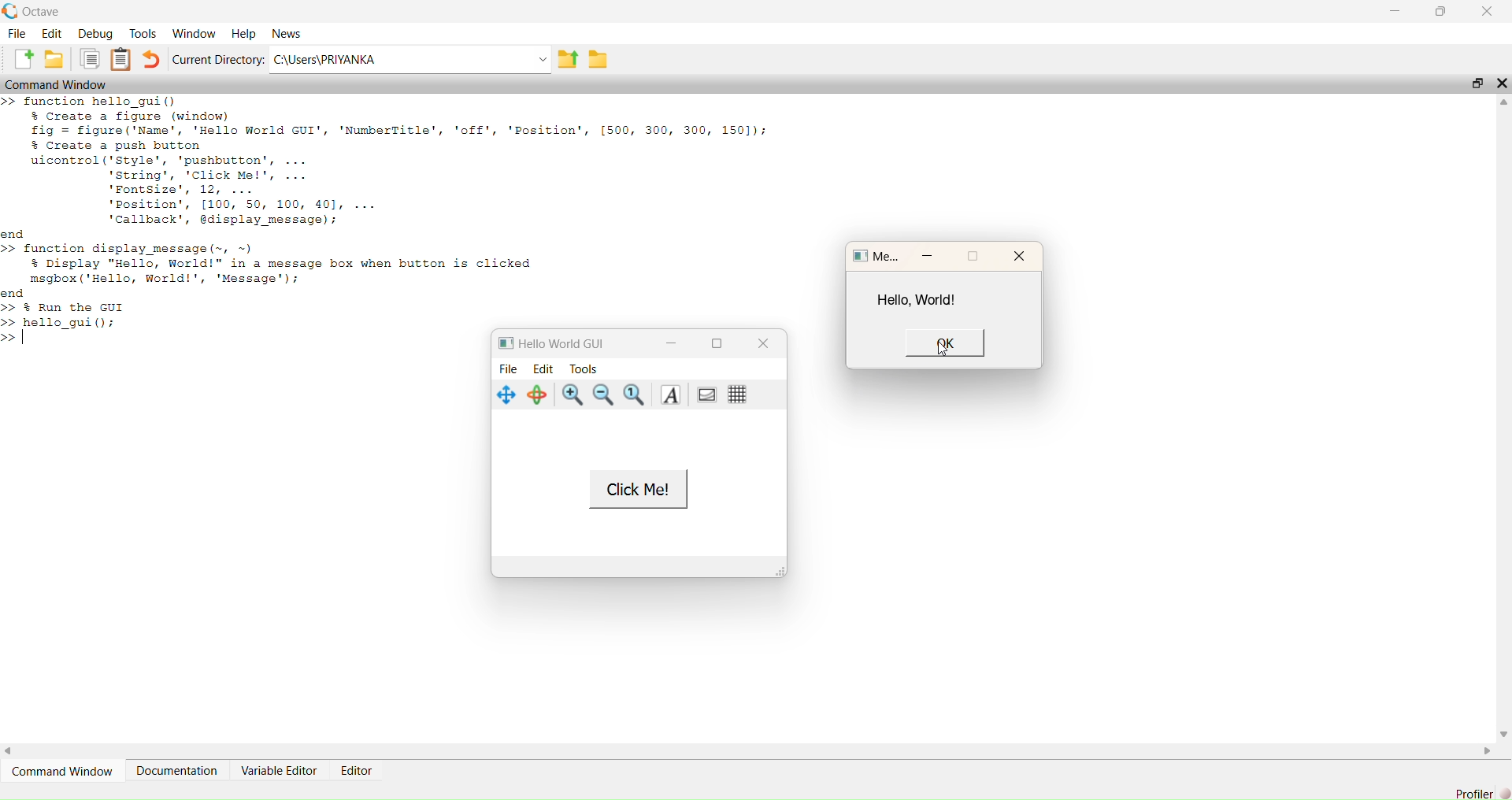 The image size is (1512, 800). I want to click on EE  —
> function hello_gui()
$ Create a figure (window)
fig = figure ('Name', 'Hello World GUI', 'NumberTitle', 'off', 'Position', [500, 300, 300, 1501);
$ Create a push button
uicontrol('style', 'pushbutton', ...
string’, 'Click Me!', ...
'Fontsize', 12, ...
'Position’, [100, 50, 100, 401, ...
callback’, display message);
nd
> function display message (~, ~)
$ Display "Hello, World!" in a message box when button is clicked
msgbox ('Hello, World!', 'Message');
nd
> % Run the GUI
> hello guil():, so click(383, 213).